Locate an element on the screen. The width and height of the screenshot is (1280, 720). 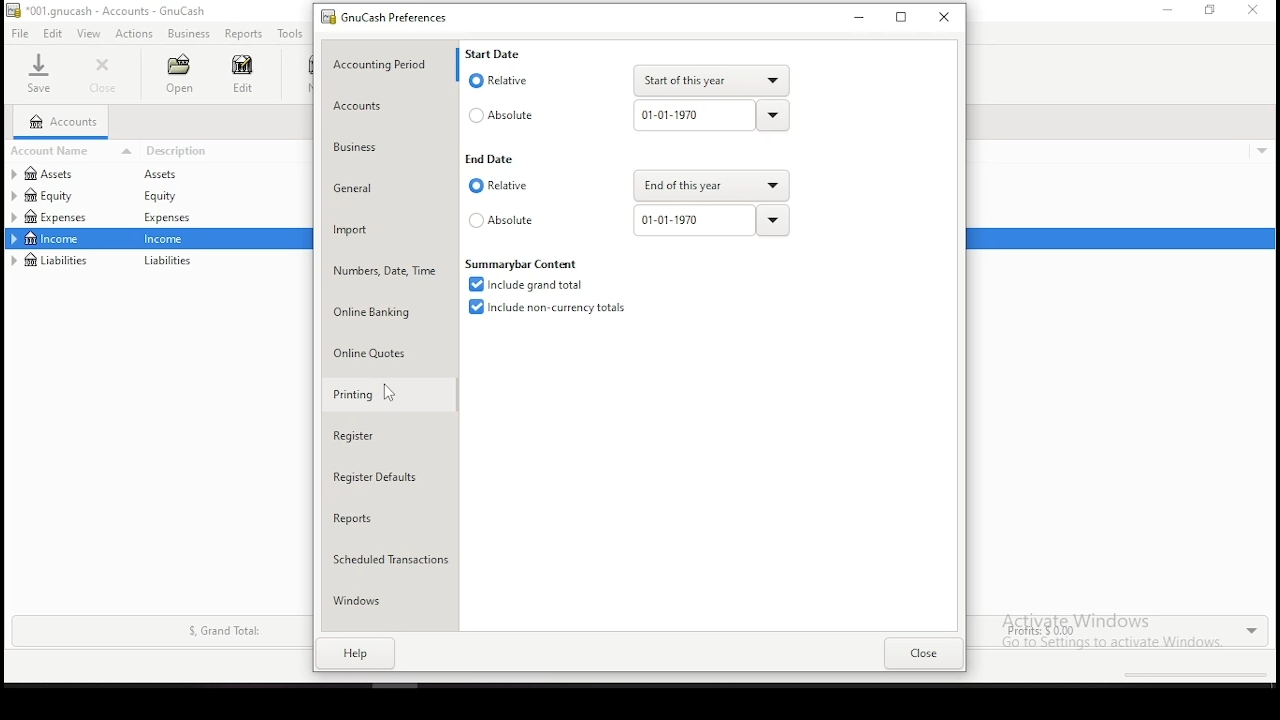
end date: absolute is located at coordinates (627, 221).